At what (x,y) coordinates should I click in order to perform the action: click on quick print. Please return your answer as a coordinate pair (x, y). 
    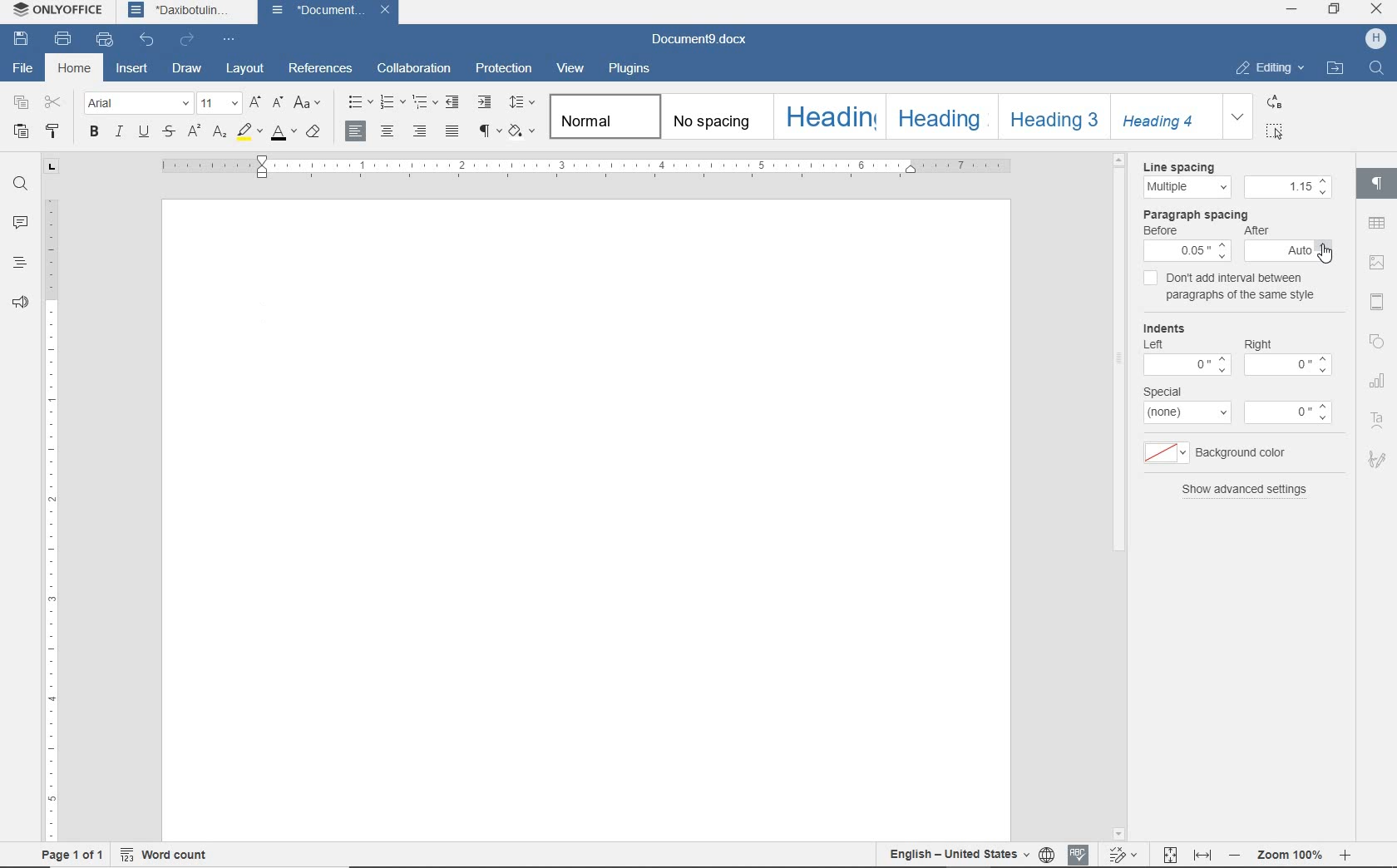
    Looking at the image, I should click on (106, 40).